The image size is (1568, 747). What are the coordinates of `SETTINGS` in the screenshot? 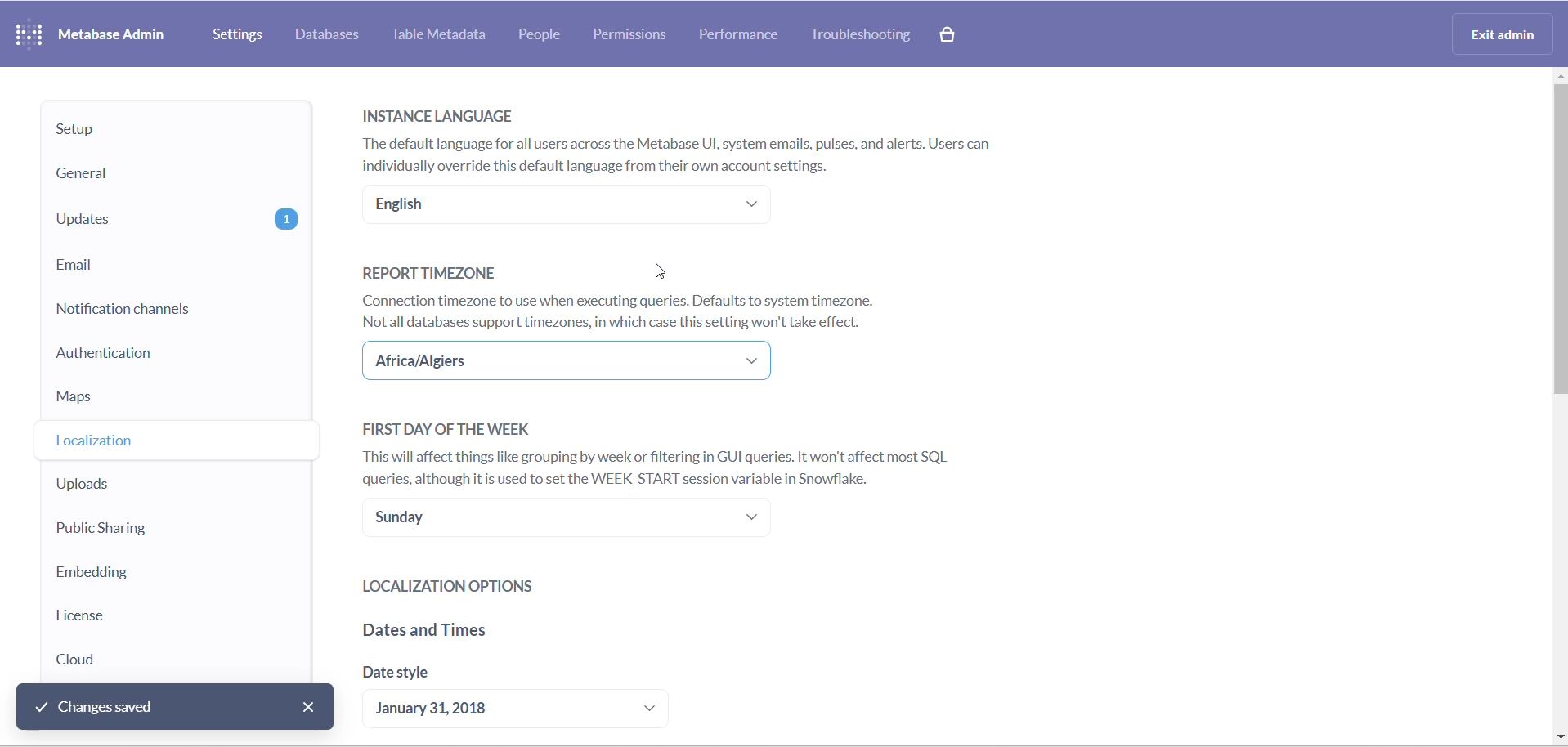 It's located at (240, 34).